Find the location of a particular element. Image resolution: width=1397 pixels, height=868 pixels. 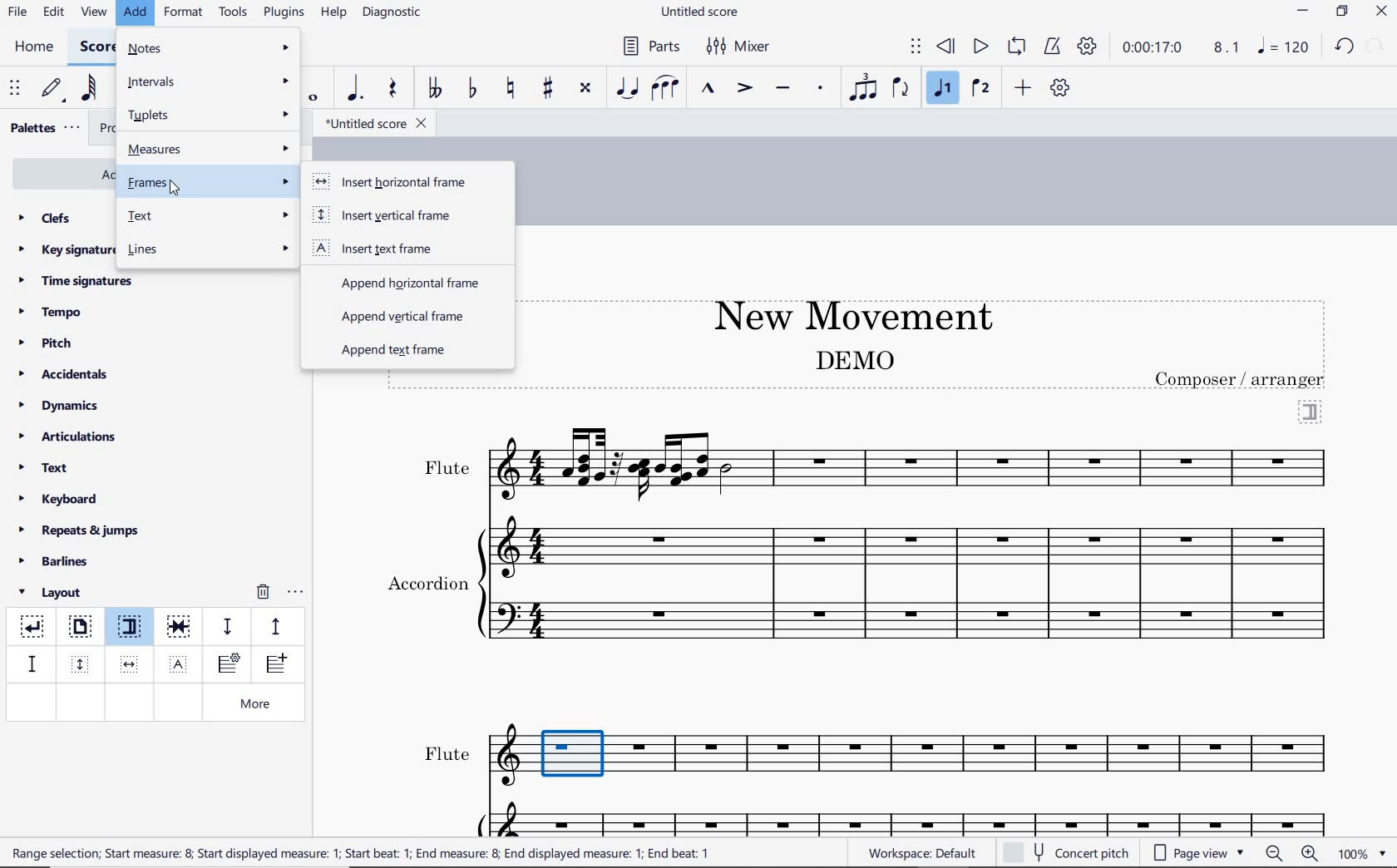

measures is located at coordinates (208, 147).